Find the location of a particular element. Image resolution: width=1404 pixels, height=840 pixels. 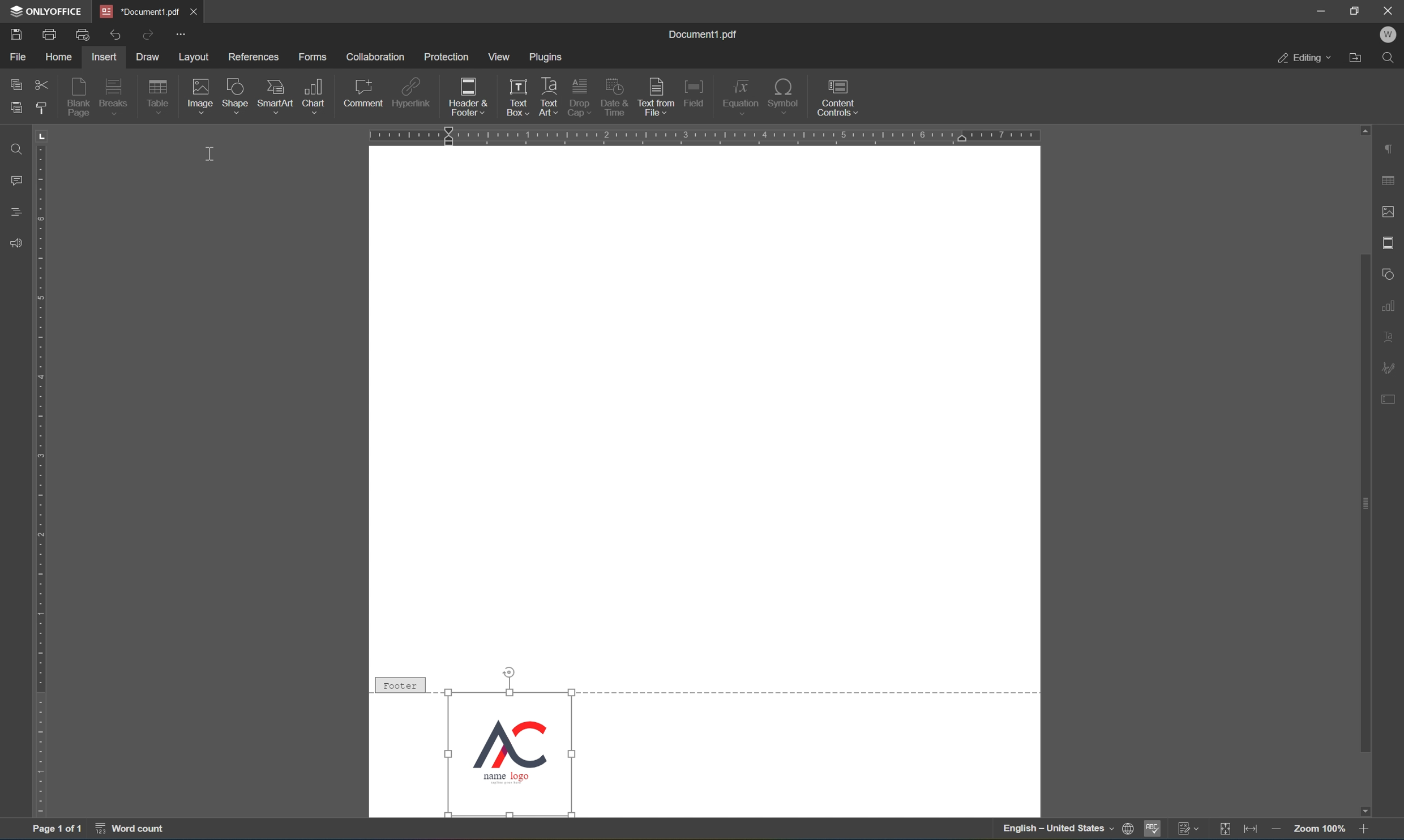

forms is located at coordinates (313, 56).